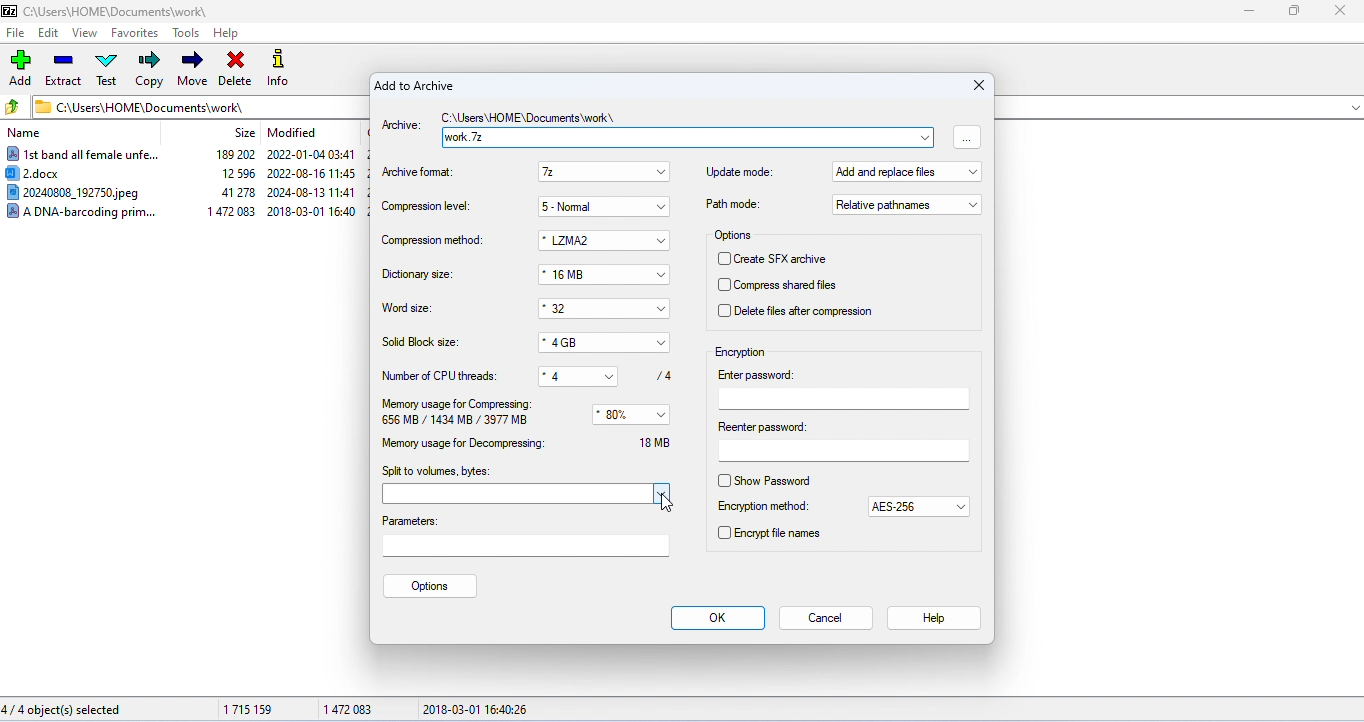  I want to click on C:\Users\HOME\Documents work \, so click(531, 119).